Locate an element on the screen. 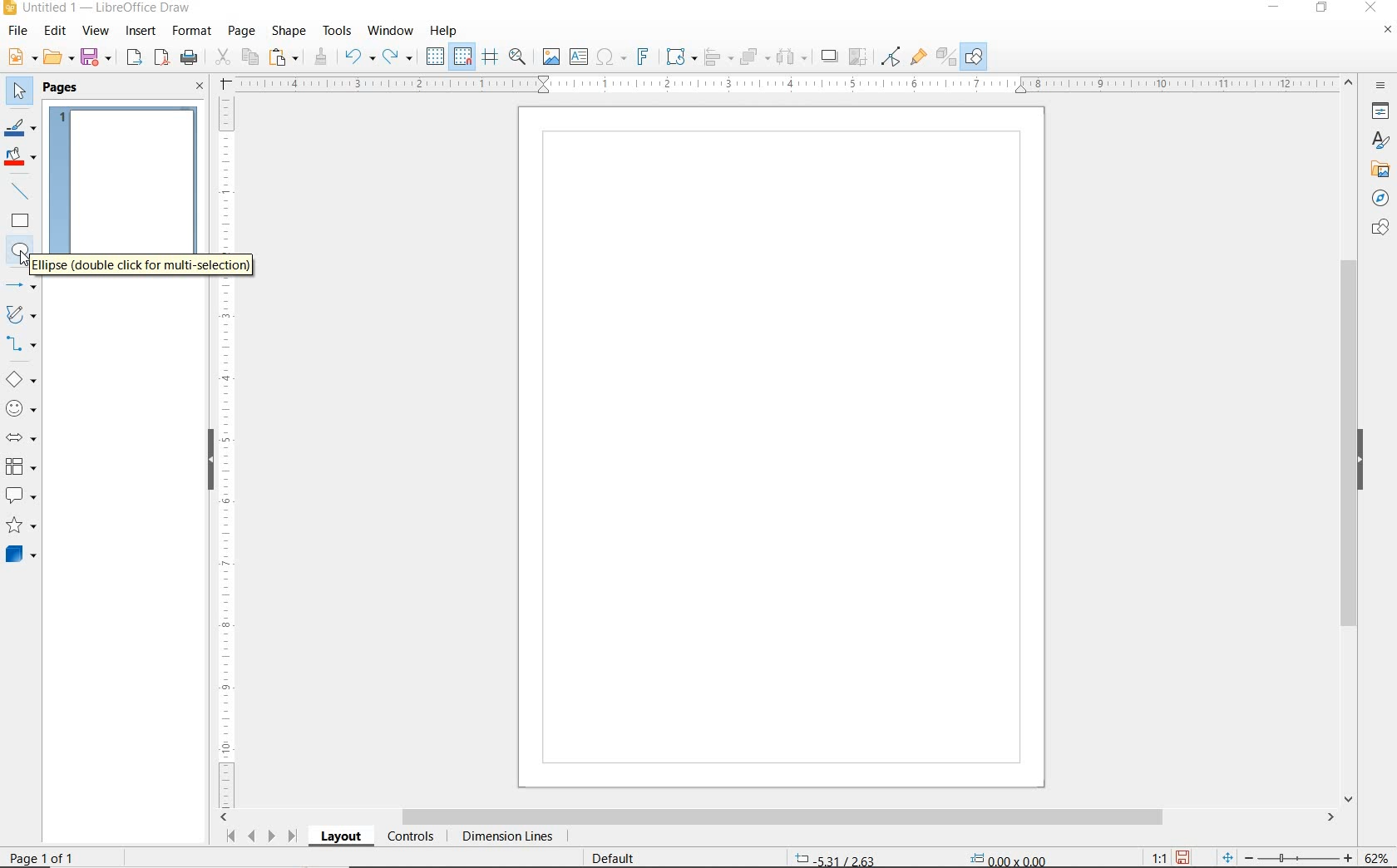 Image resolution: width=1397 pixels, height=868 pixels. PRINT is located at coordinates (190, 57).